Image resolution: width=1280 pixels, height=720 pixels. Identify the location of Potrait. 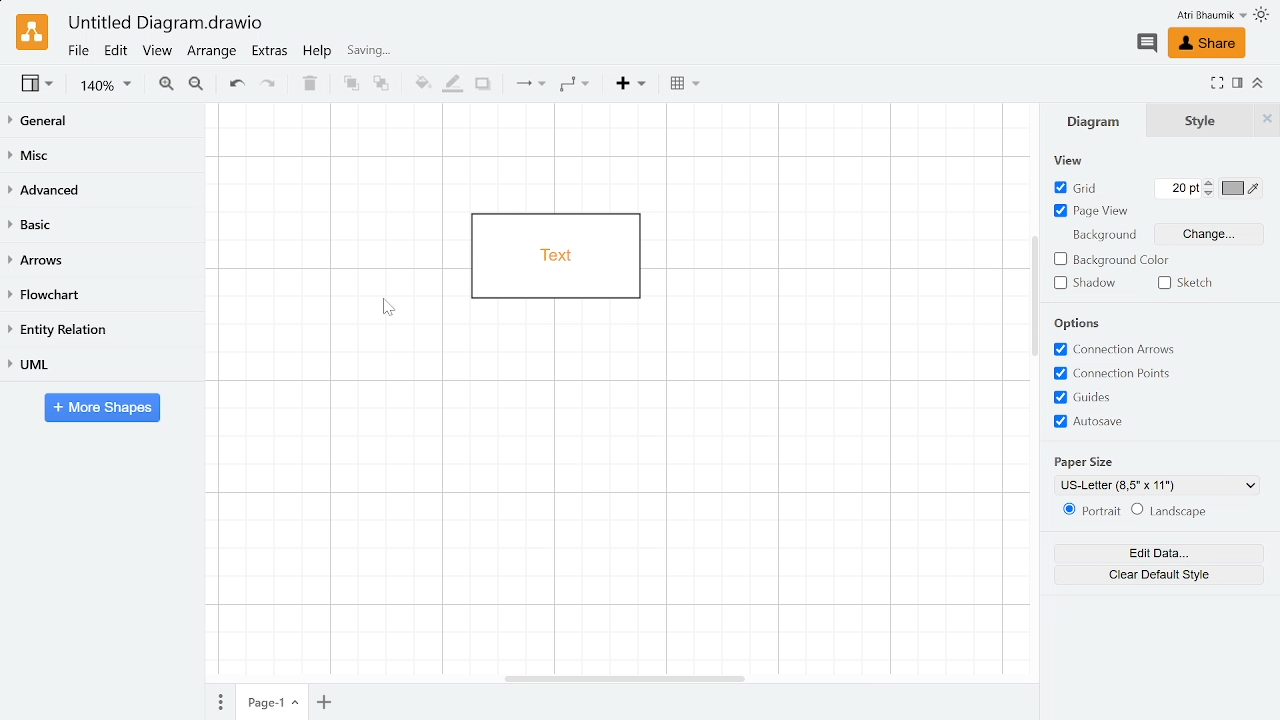
(1090, 514).